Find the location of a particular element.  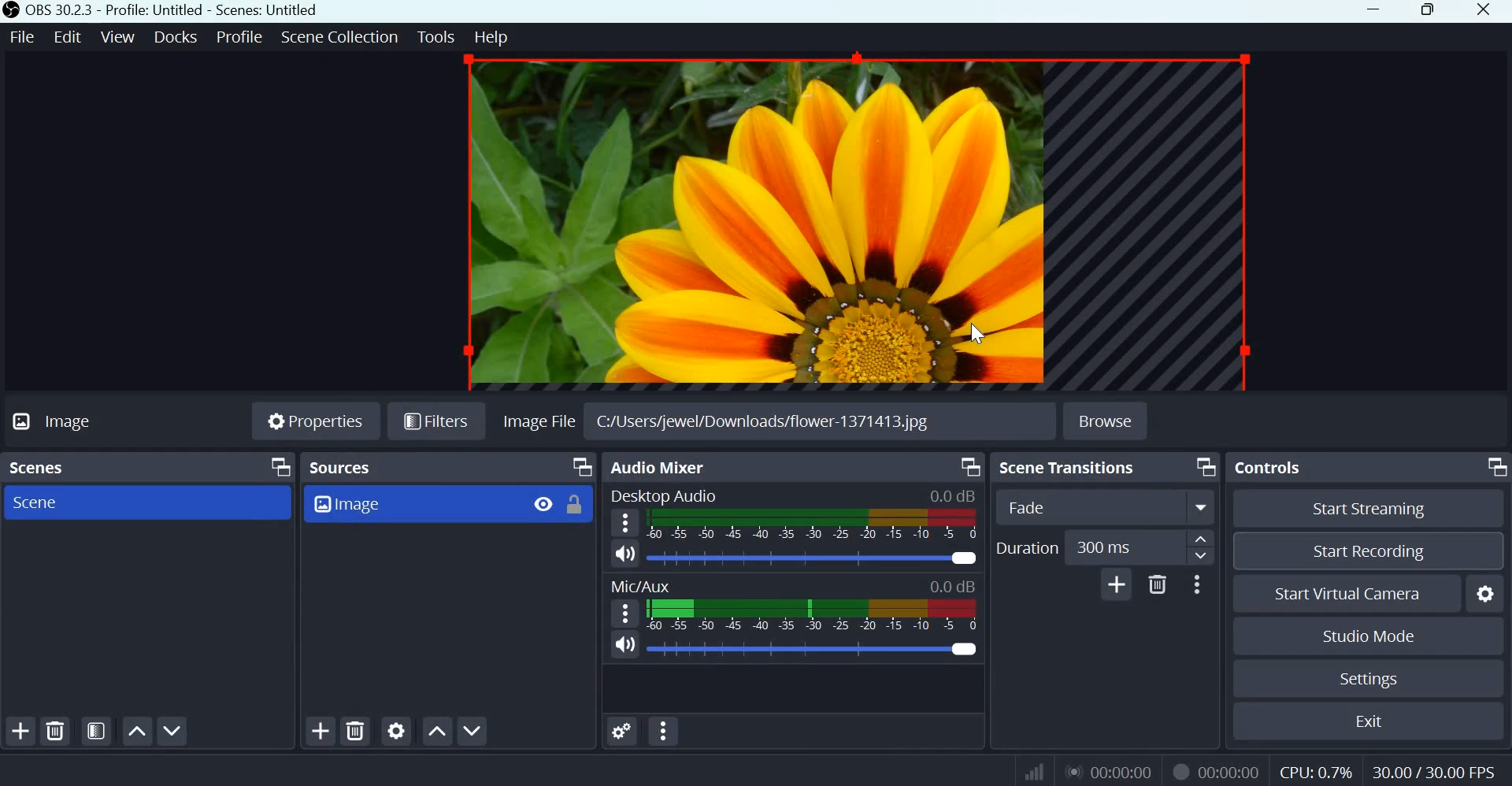

increase is located at coordinates (1206, 539).